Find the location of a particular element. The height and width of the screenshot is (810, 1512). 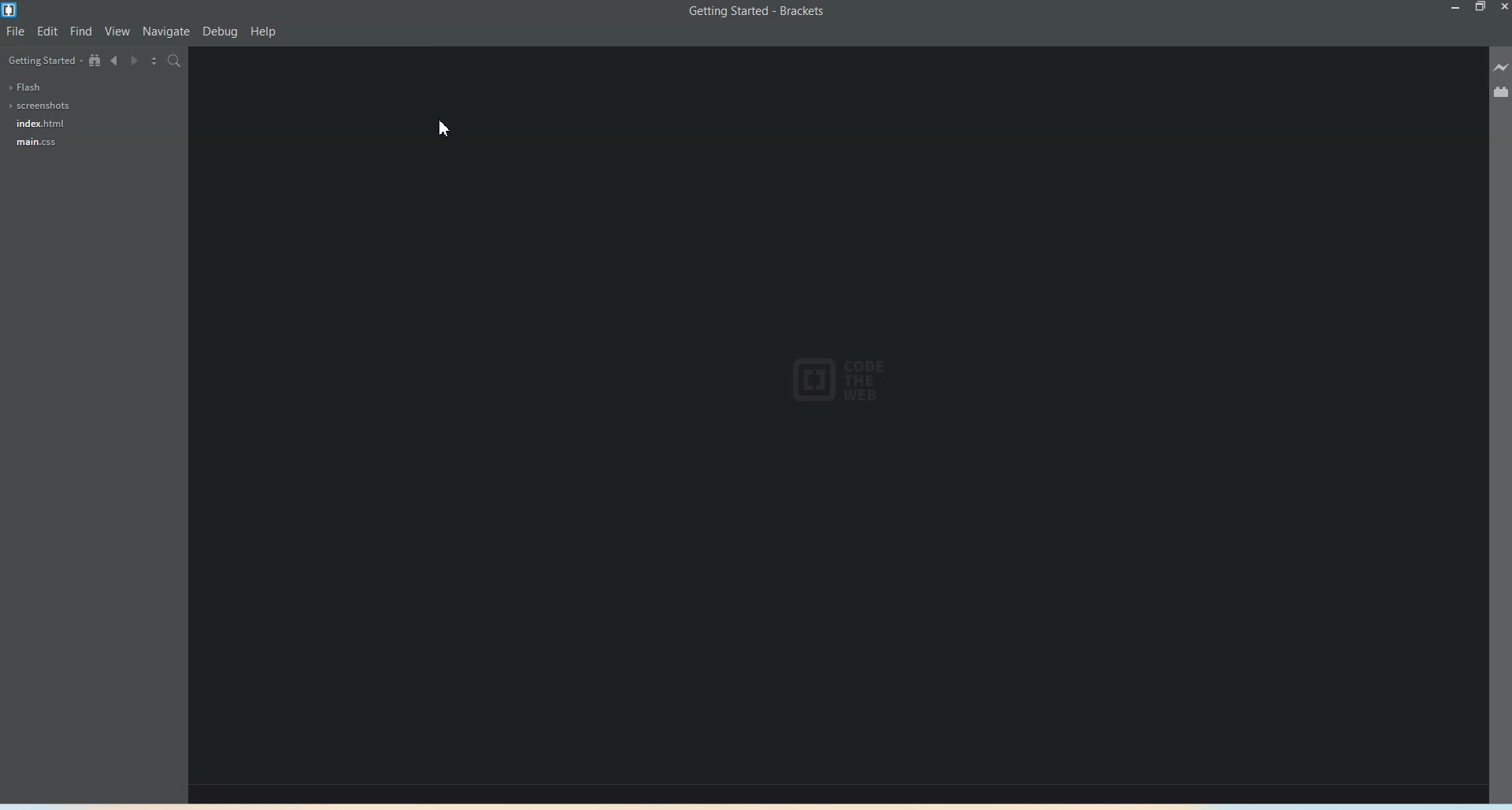

Navigate Backwards is located at coordinates (116, 61).